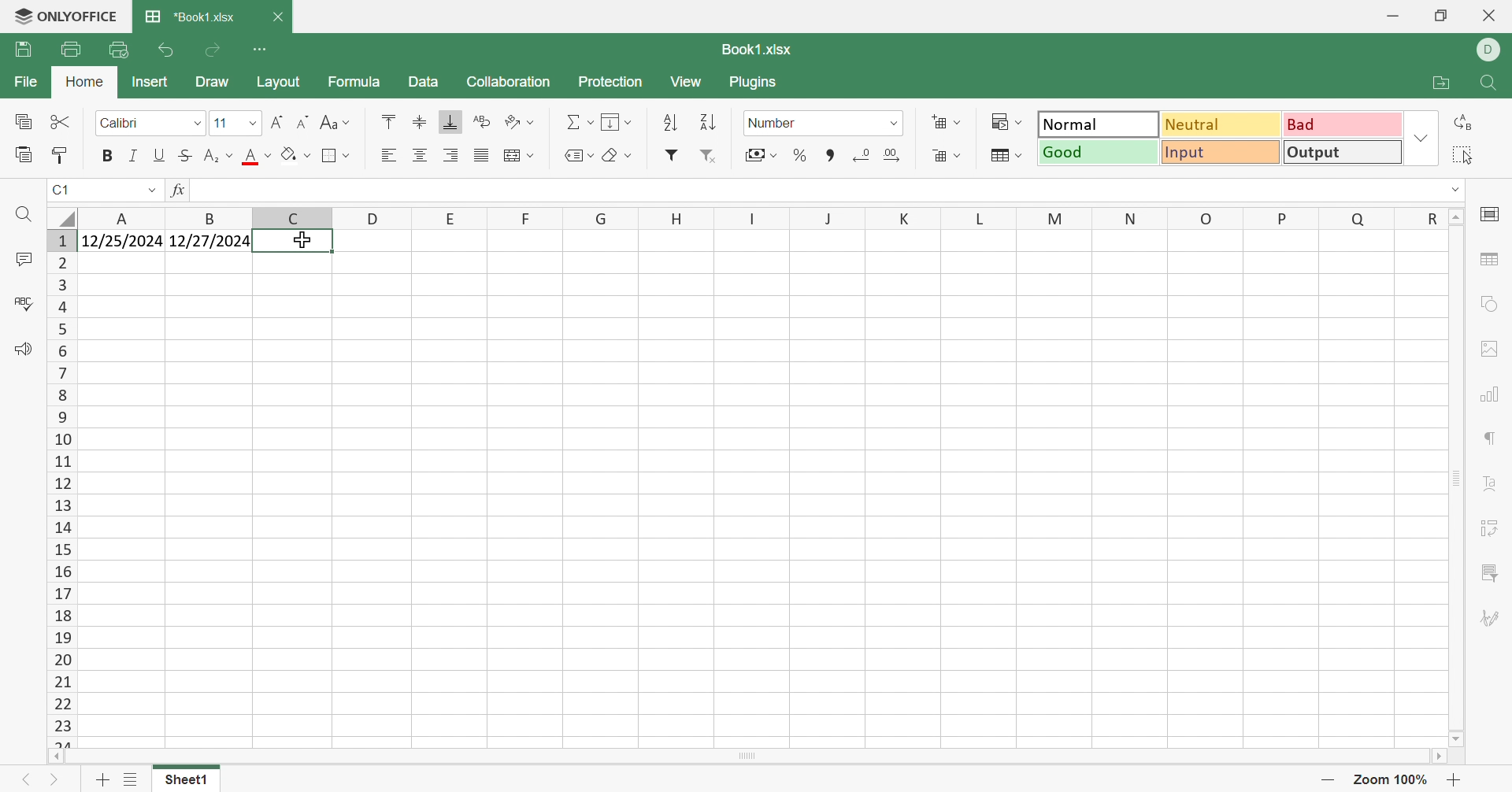  What do you see at coordinates (1221, 154) in the screenshot?
I see `Input` at bounding box center [1221, 154].